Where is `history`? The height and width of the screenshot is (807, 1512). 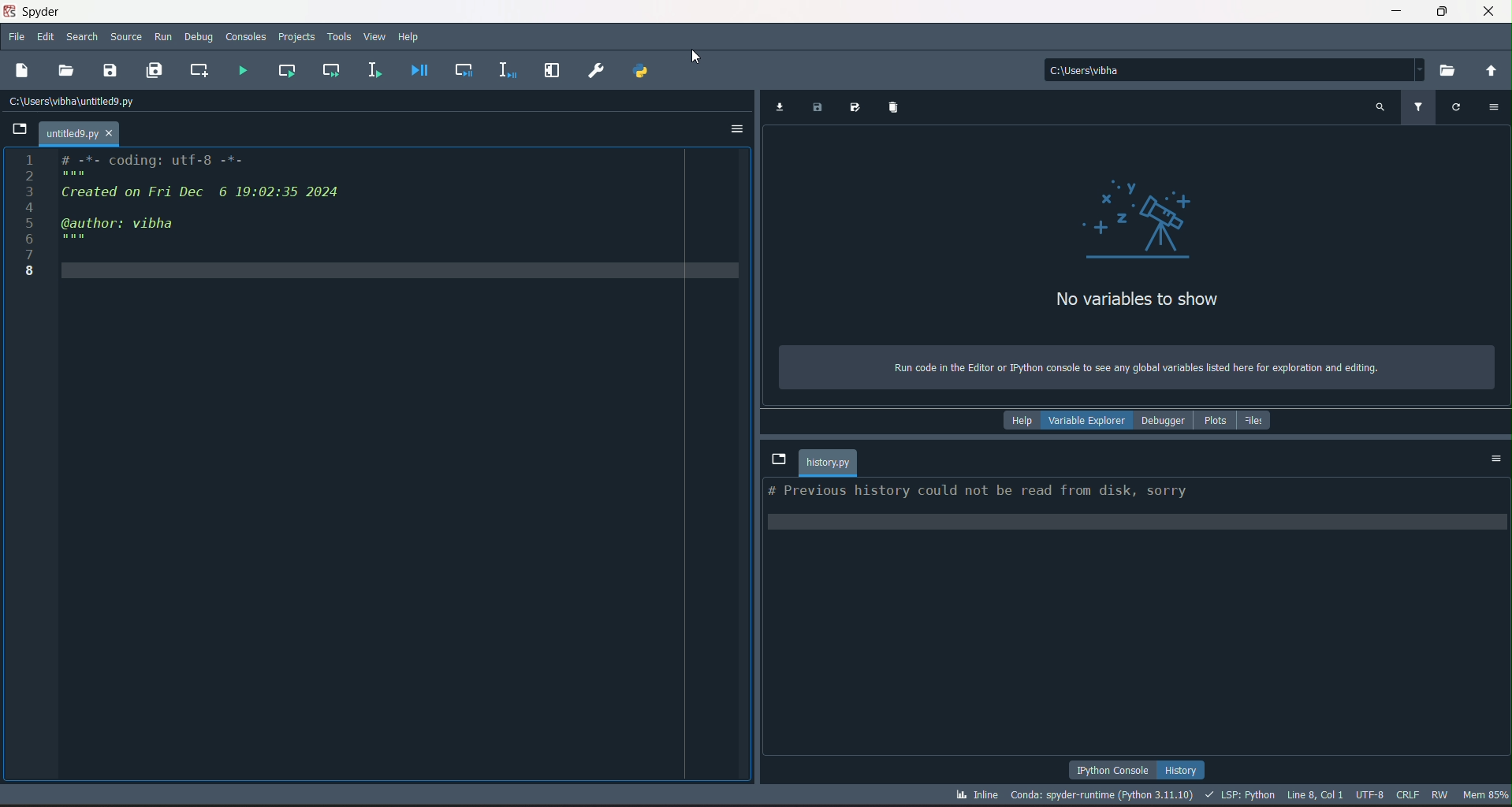
history is located at coordinates (1183, 768).